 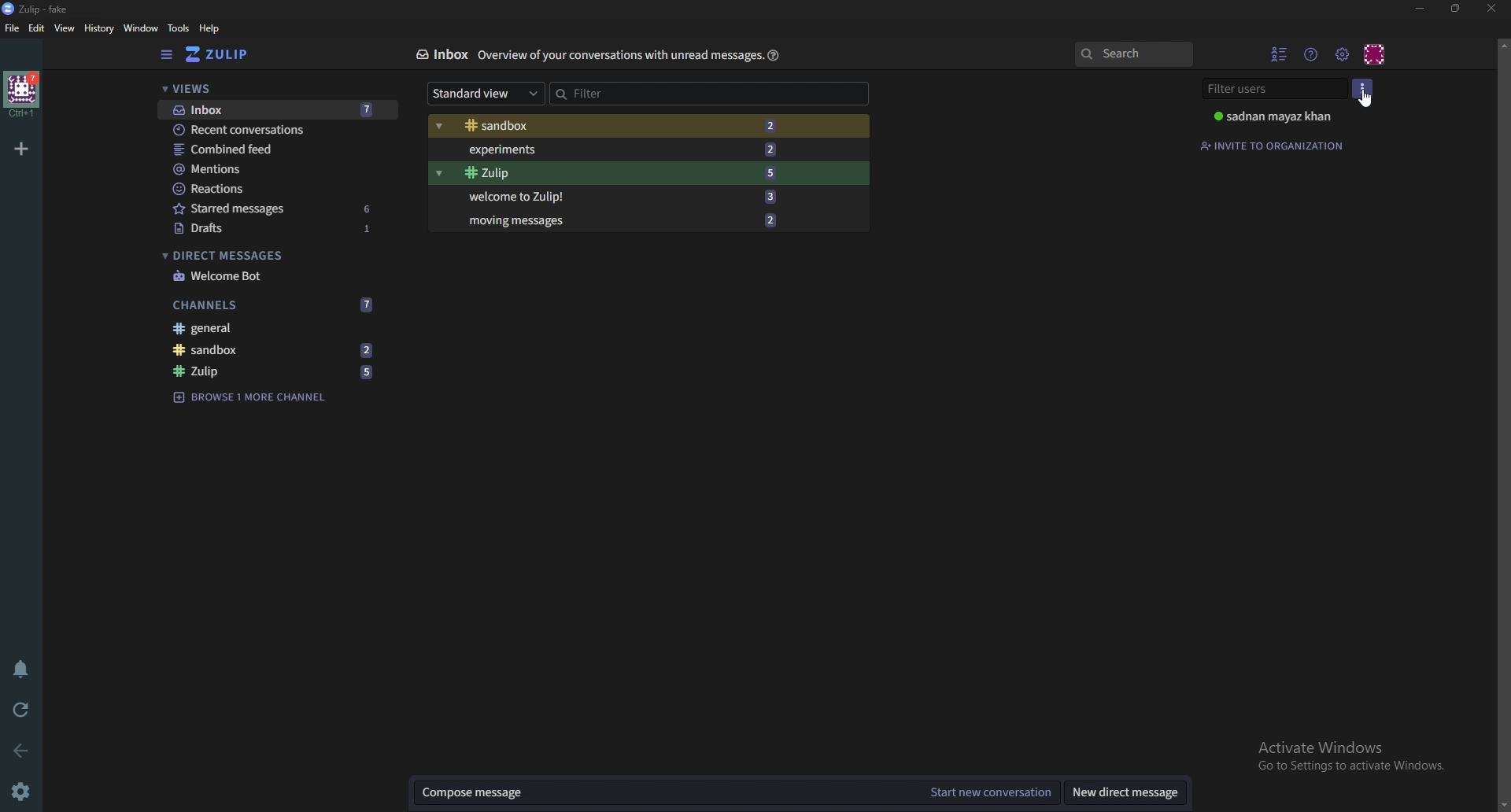 What do you see at coordinates (487, 94) in the screenshot?
I see `Standard view` at bounding box center [487, 94].